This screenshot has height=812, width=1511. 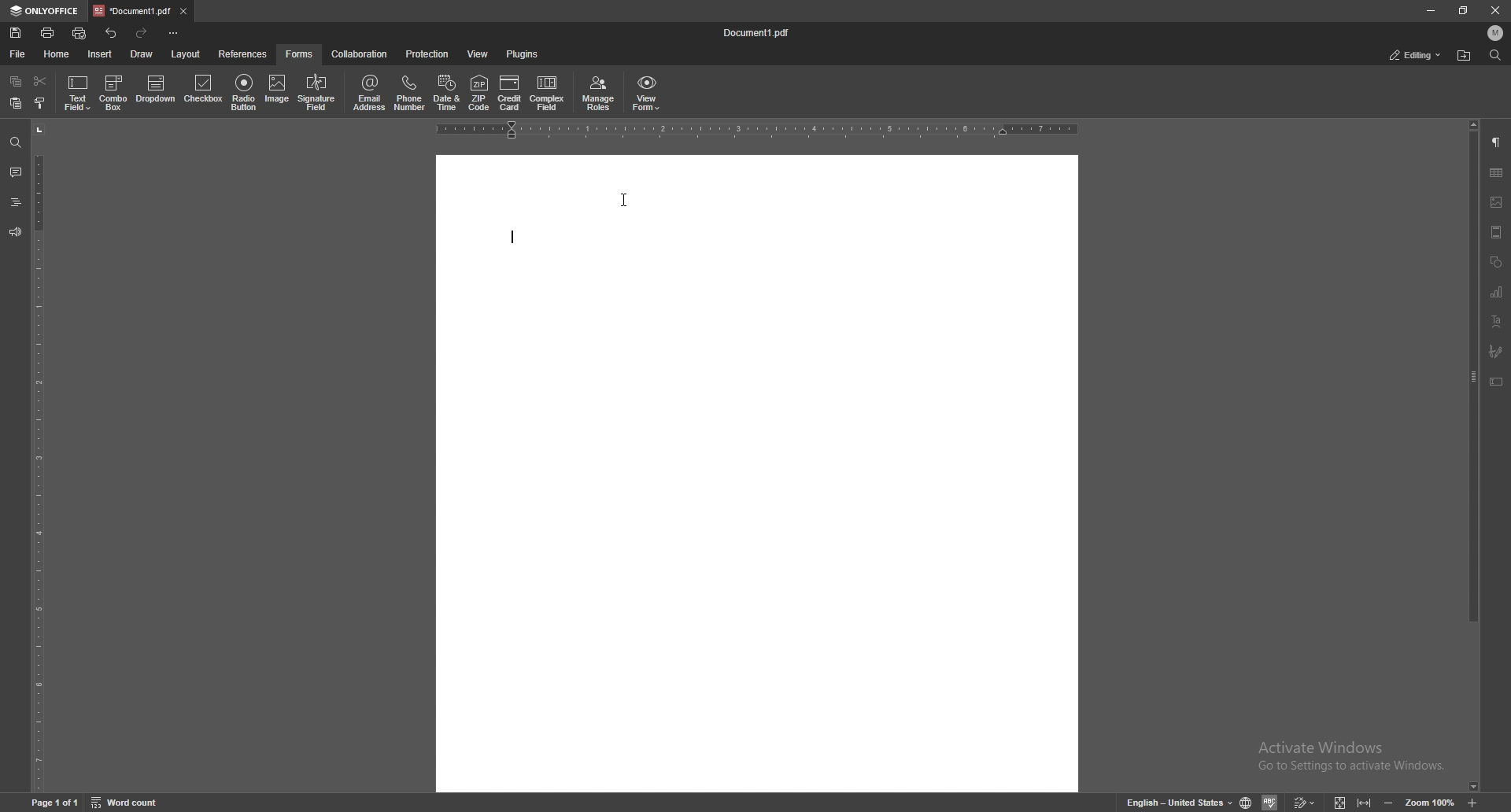 What do you see at coordinates (19, 53) in the screenshot?
I see `file` at bounding box center [19, 53].